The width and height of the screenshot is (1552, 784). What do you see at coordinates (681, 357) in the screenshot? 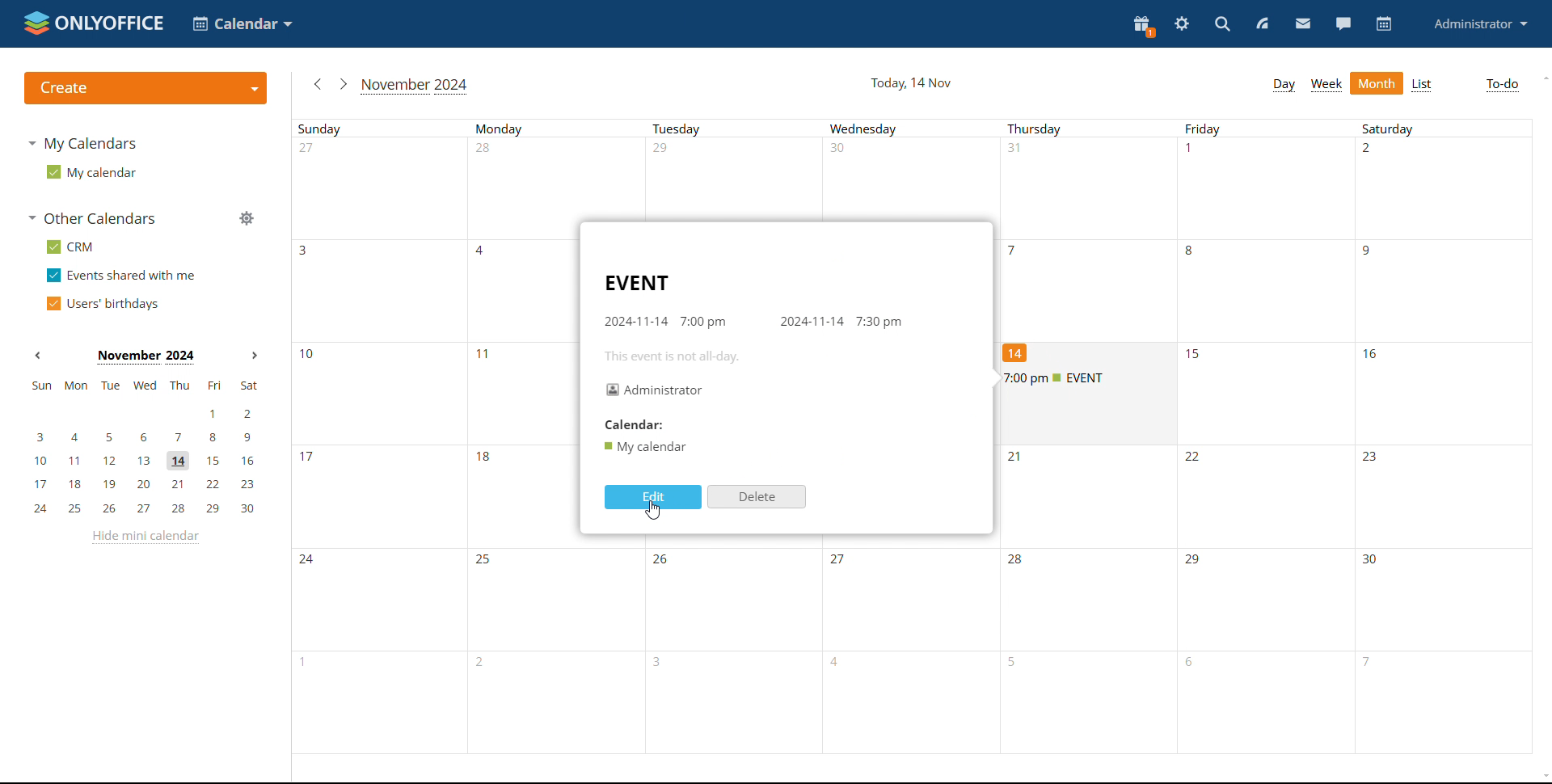
I see `this event is not all-day` at bounding box center [681, 357].